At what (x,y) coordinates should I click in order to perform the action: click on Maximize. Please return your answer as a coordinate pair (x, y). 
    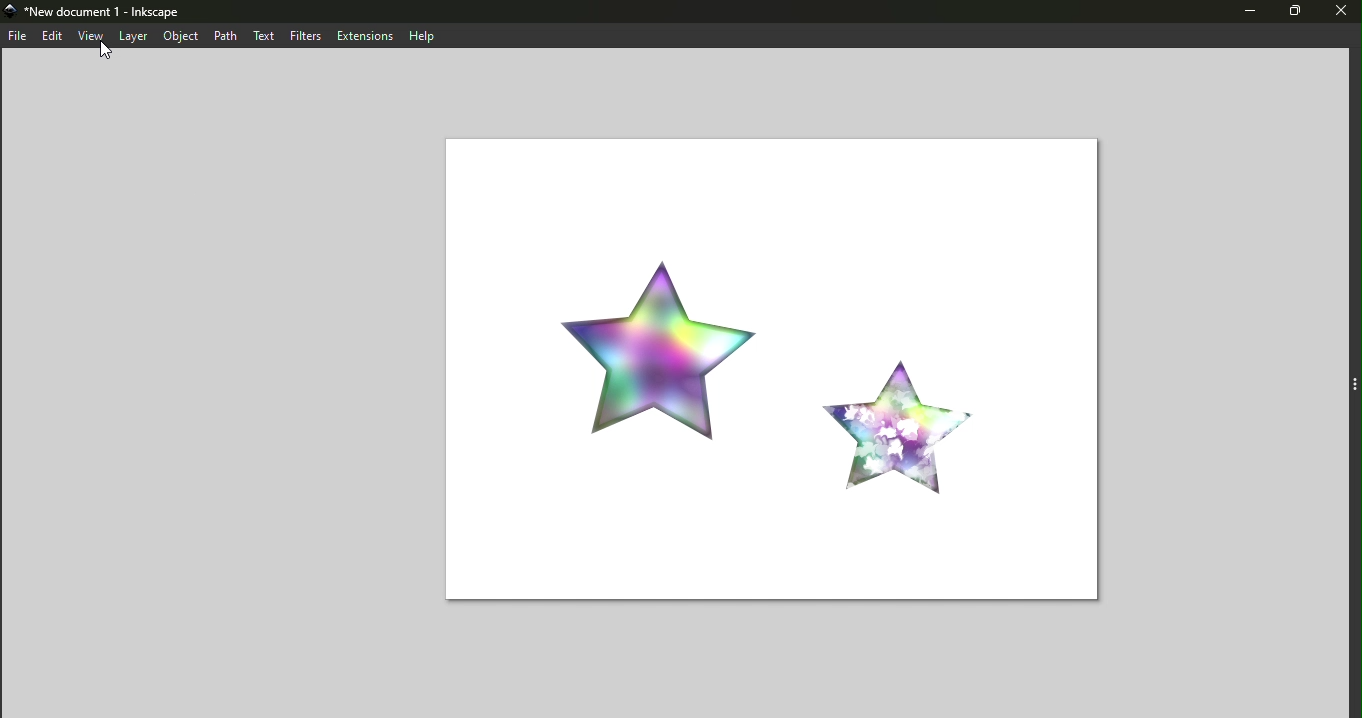
    Looking at the image, I should click on (1292, 13).